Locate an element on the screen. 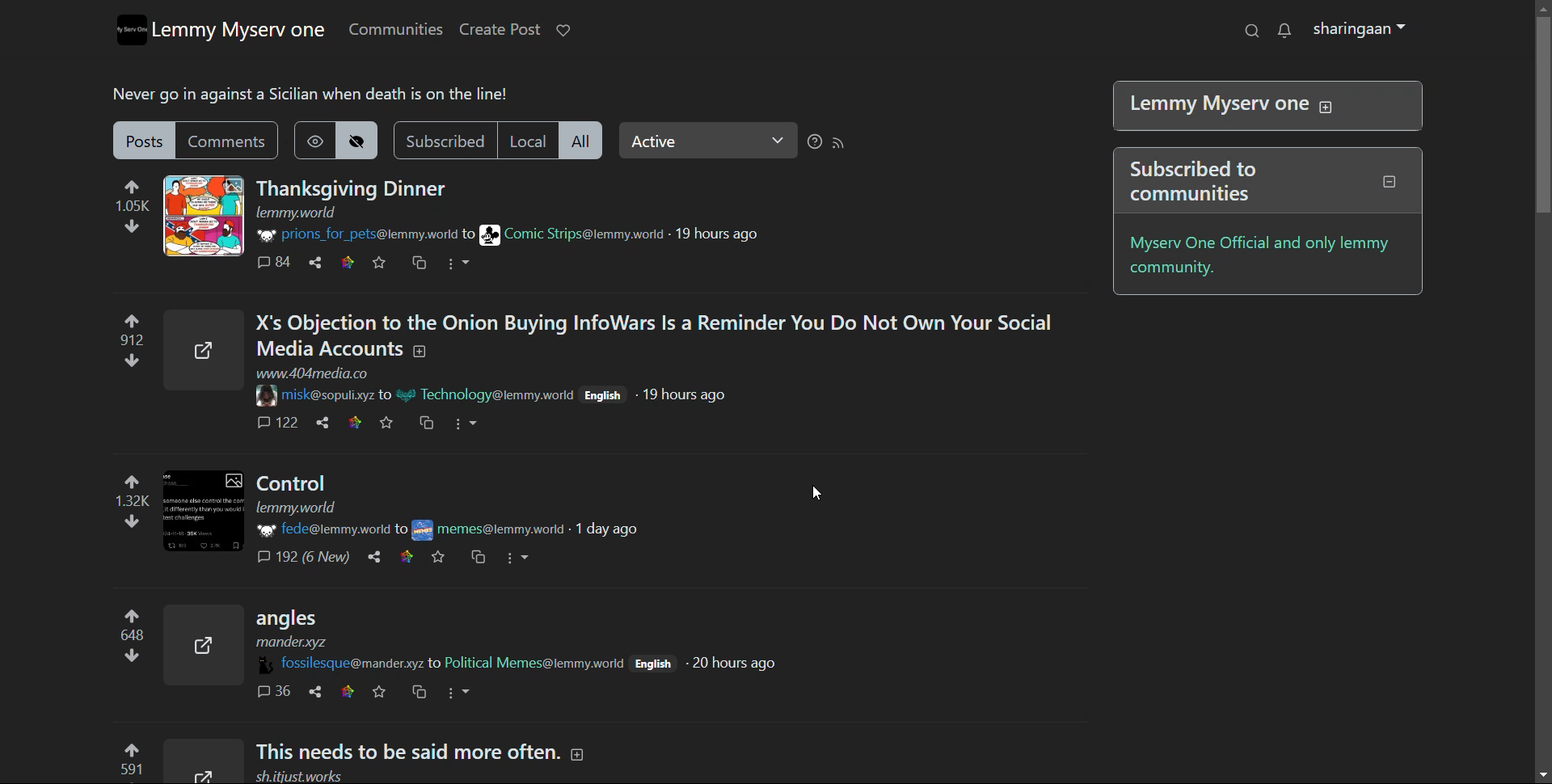 This screenshot has height=784, width=1552. English is located at coordinates (652, 660).